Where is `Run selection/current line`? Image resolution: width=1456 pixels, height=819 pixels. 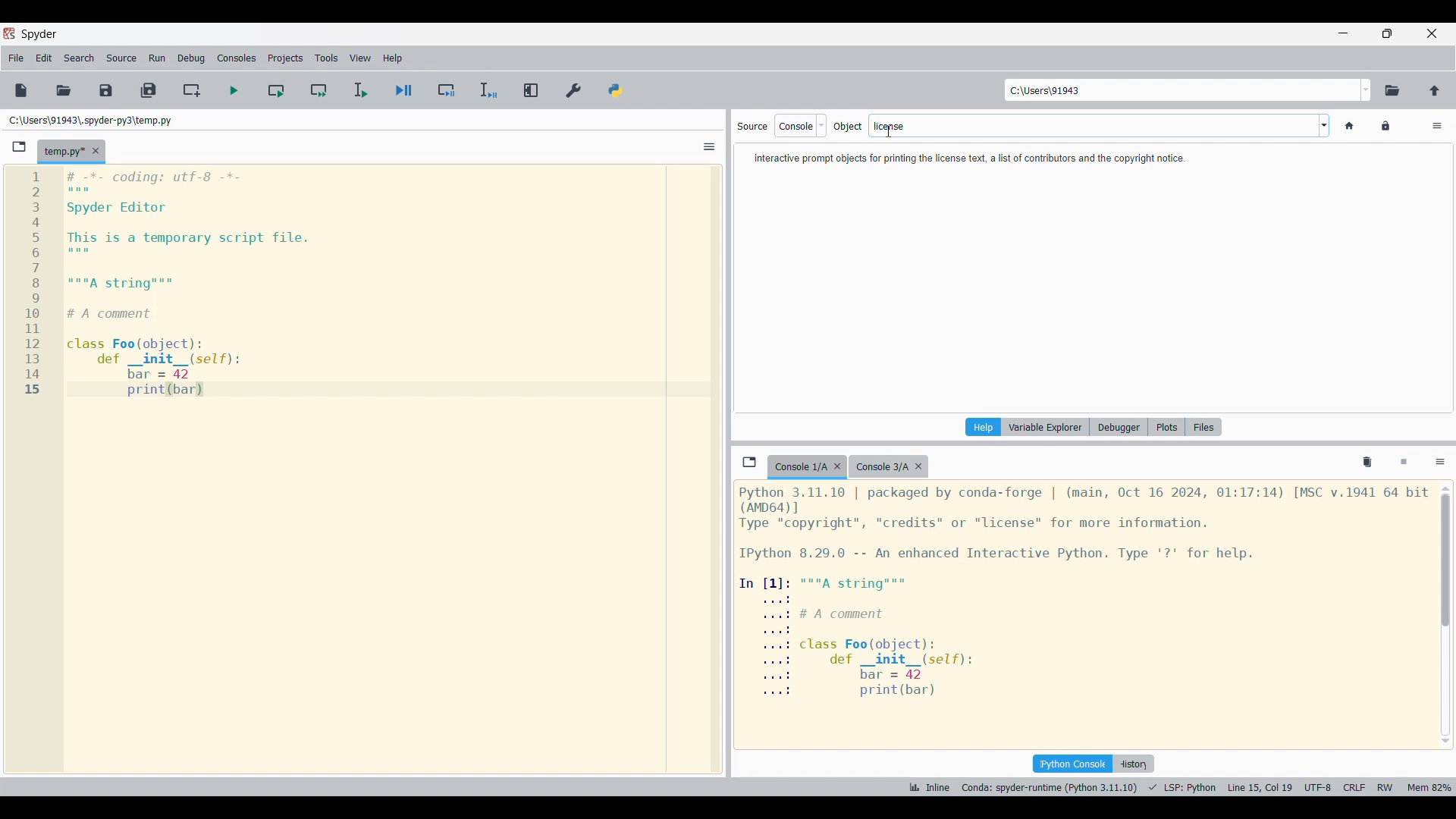
Run selection/current line is located at coordinates (359, 90).